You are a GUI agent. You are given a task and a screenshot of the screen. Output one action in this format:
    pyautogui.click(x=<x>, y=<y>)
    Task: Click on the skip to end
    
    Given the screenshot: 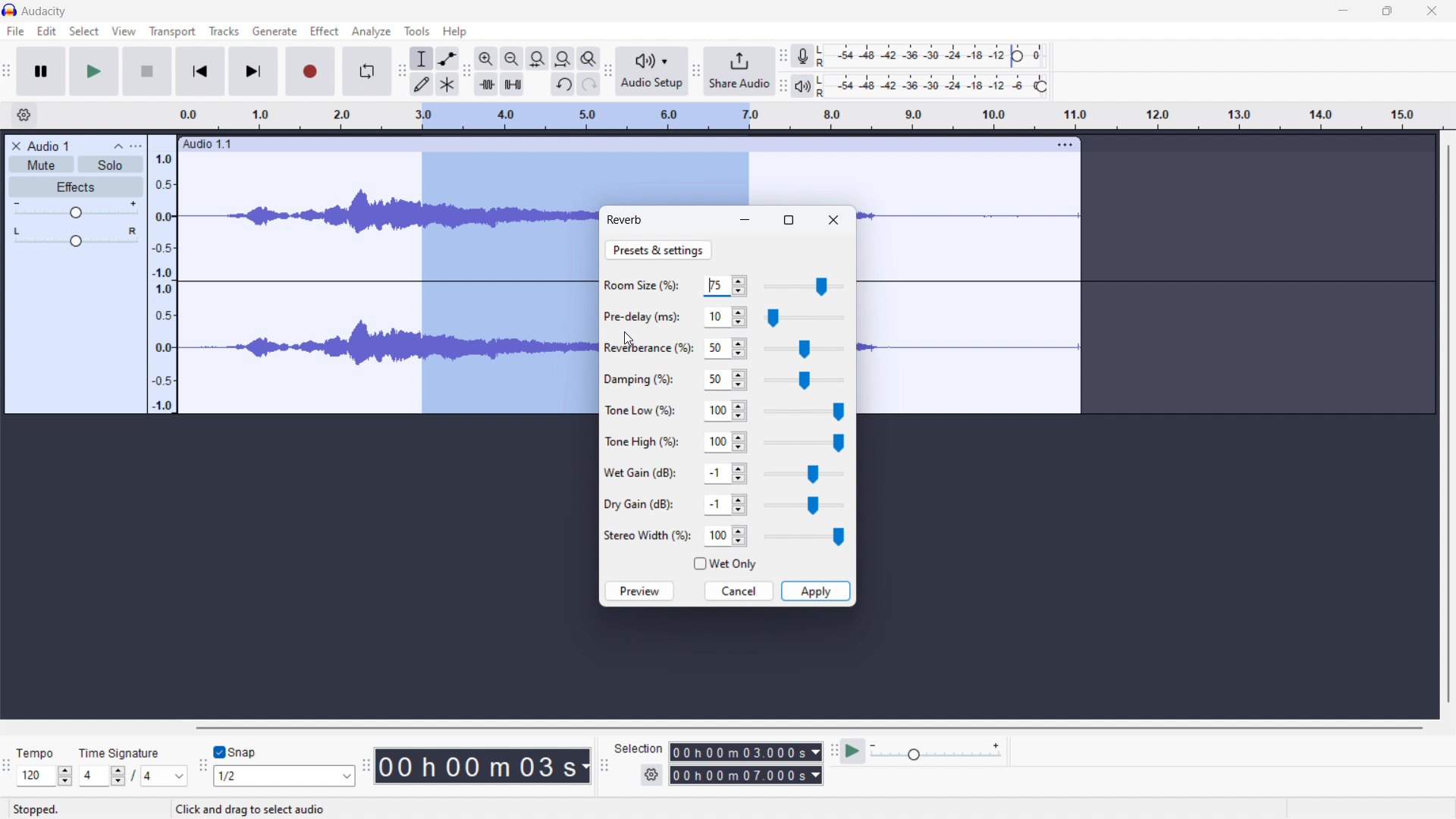 What is the action you would take?
    pyautogui.click(x=253, y=72)
    